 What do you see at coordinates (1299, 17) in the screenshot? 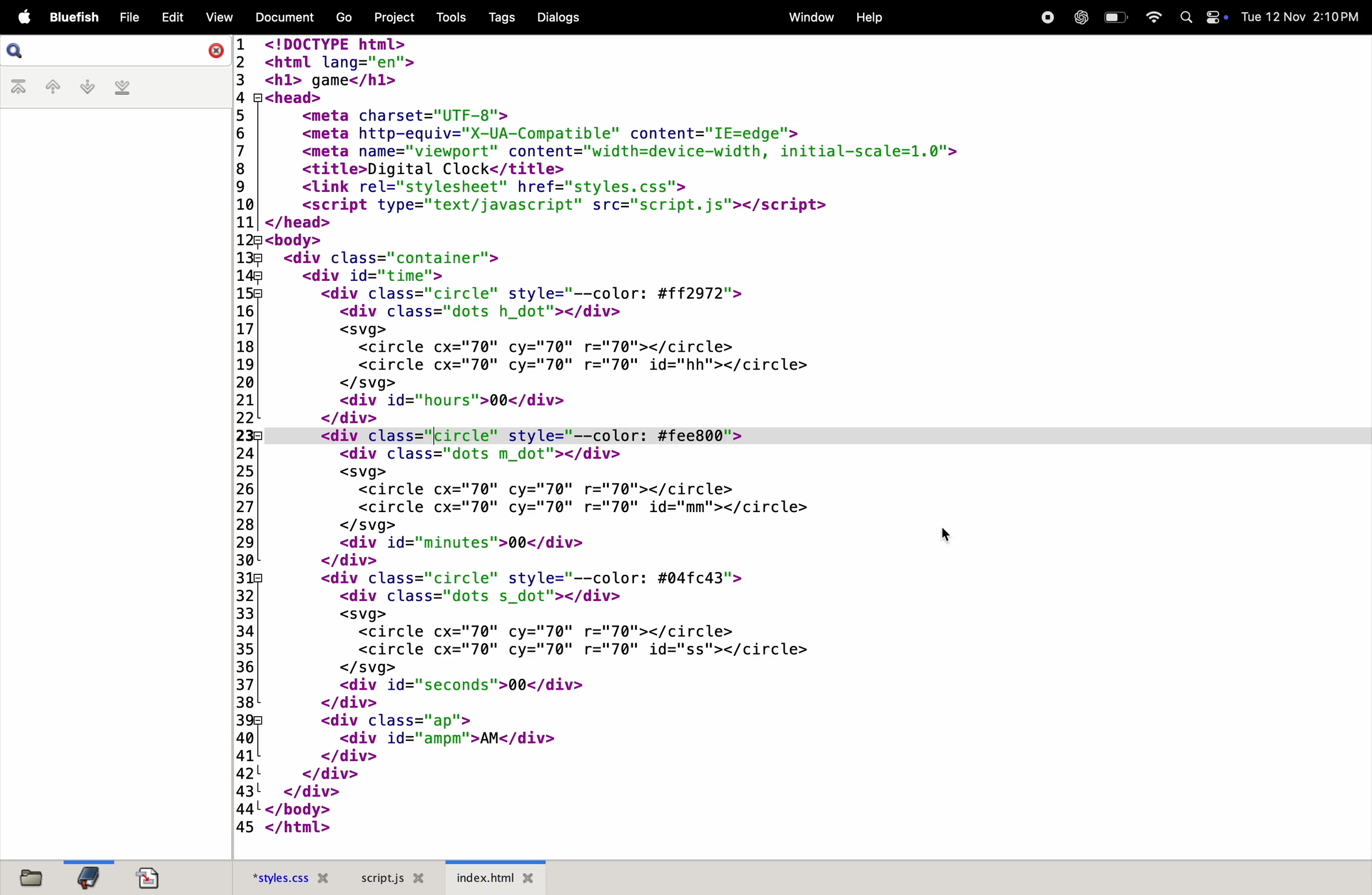
I see `date and time` at bounding box center [1299, 17].